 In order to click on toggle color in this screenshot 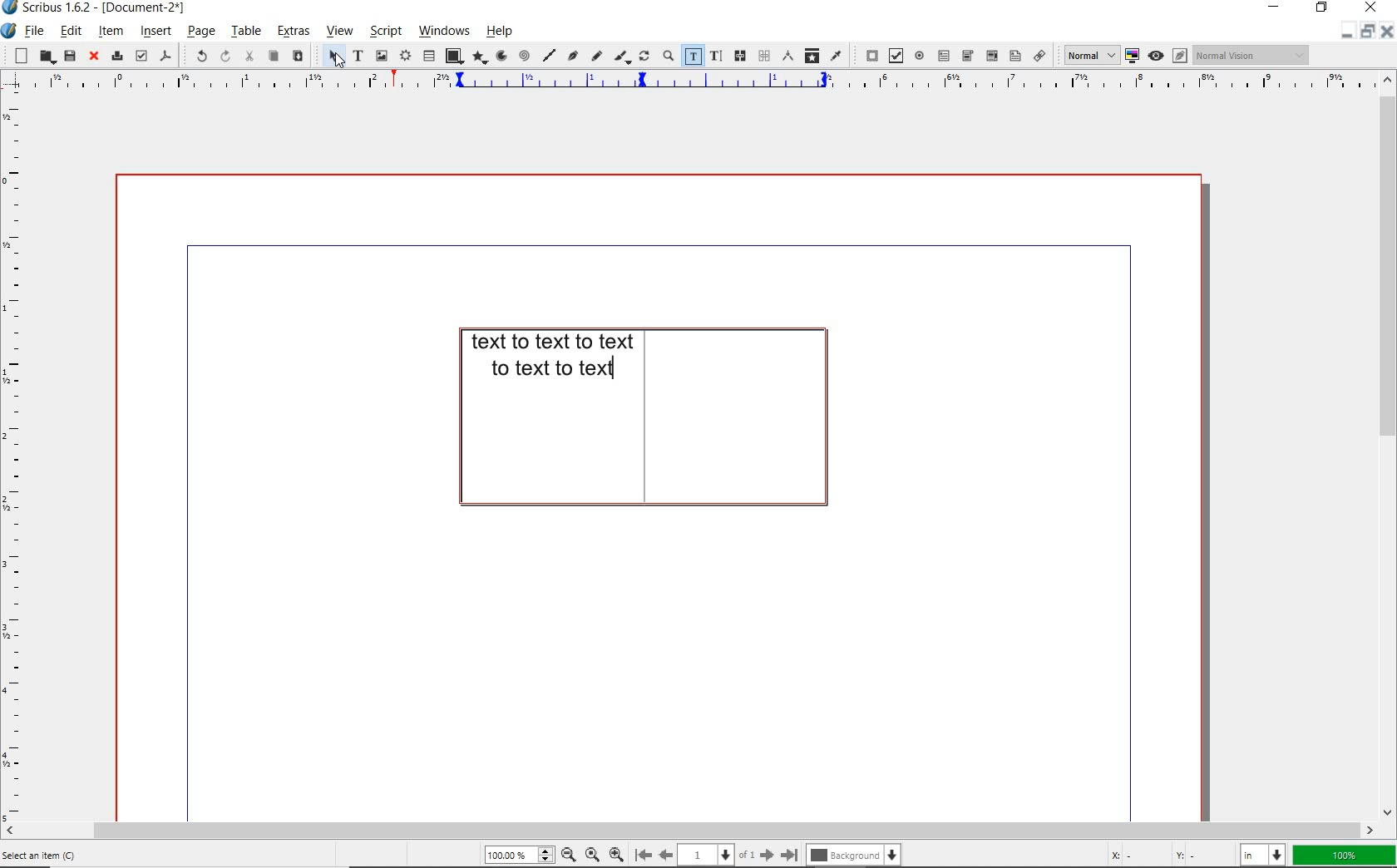, I will do `click(1133, 56)`.